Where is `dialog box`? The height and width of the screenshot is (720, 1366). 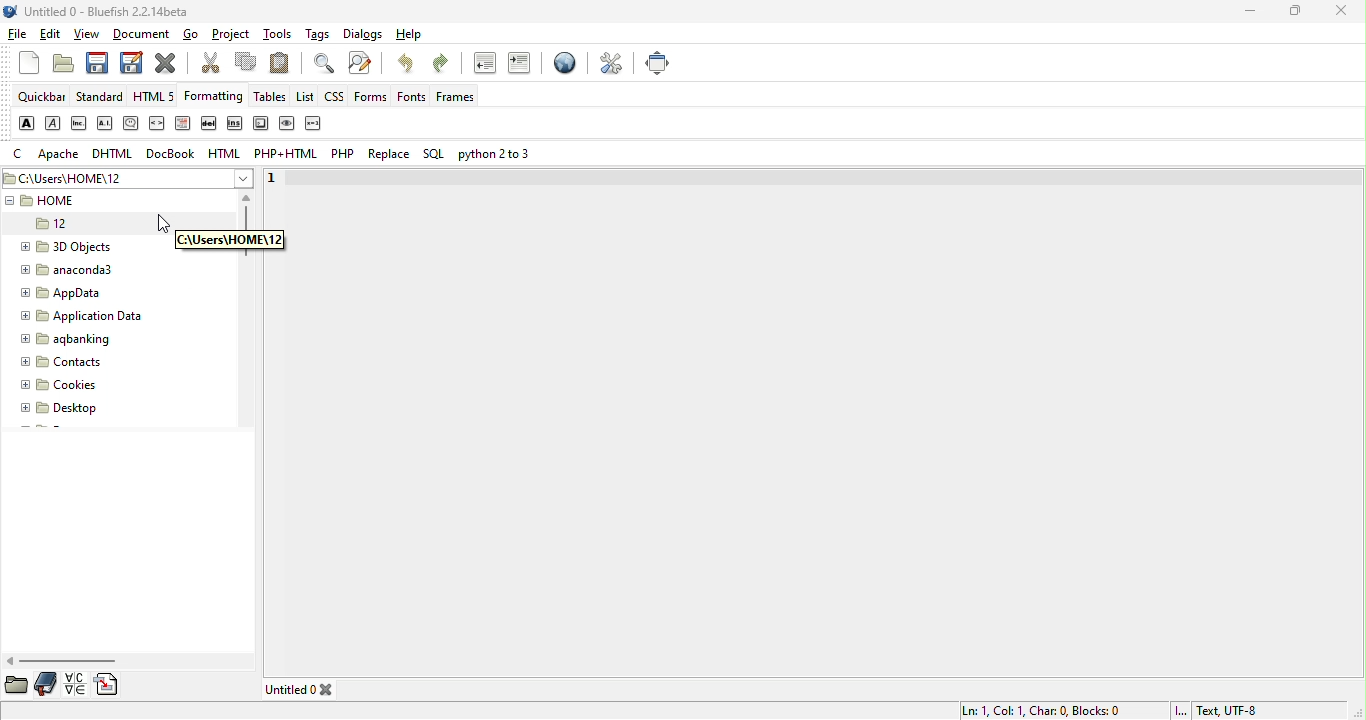 dialog box is located at coordinates (202, 240).